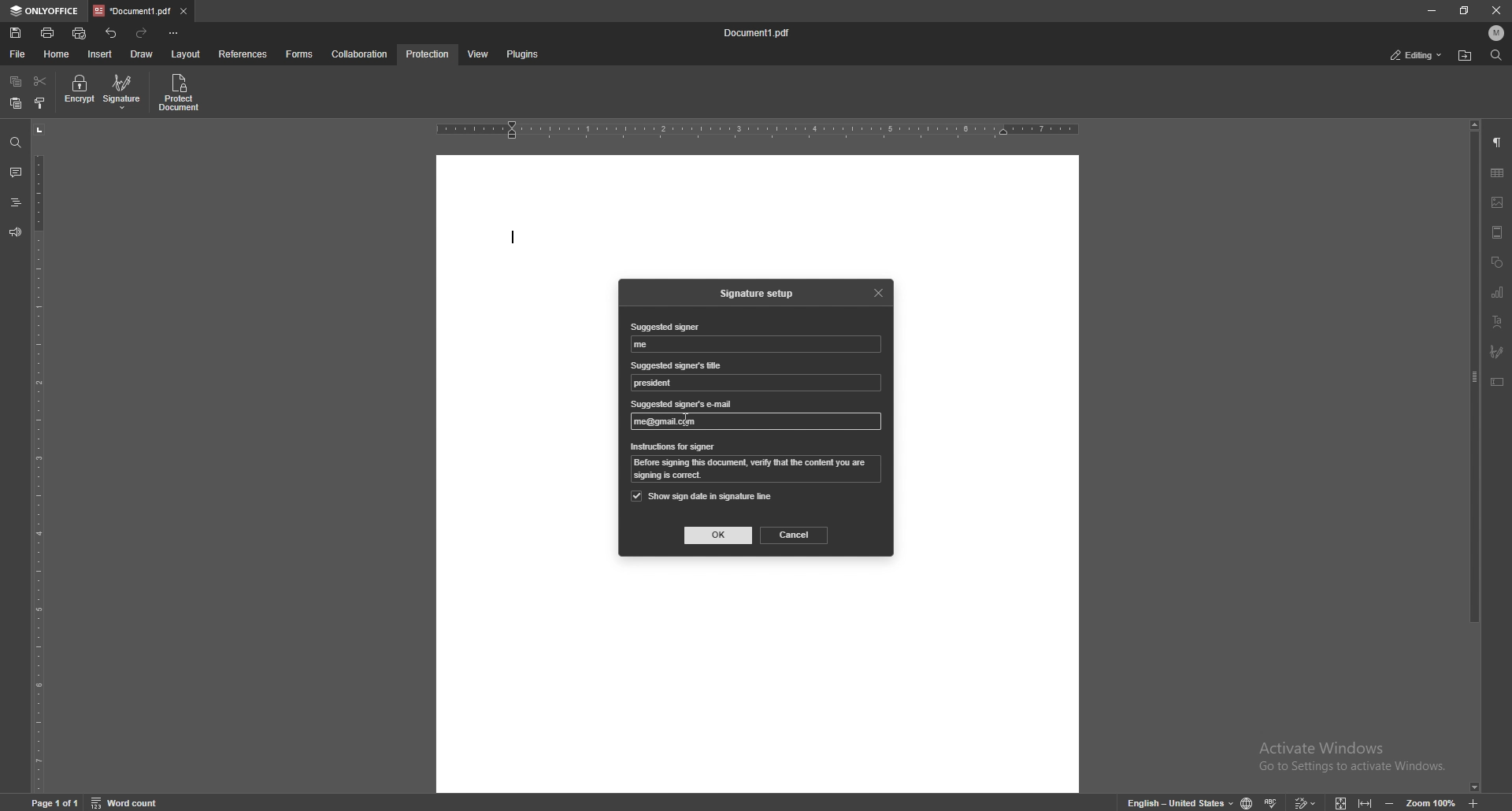 This screenshot has width=1512, height=811. I want to click on suggested email, so click(758, 420).